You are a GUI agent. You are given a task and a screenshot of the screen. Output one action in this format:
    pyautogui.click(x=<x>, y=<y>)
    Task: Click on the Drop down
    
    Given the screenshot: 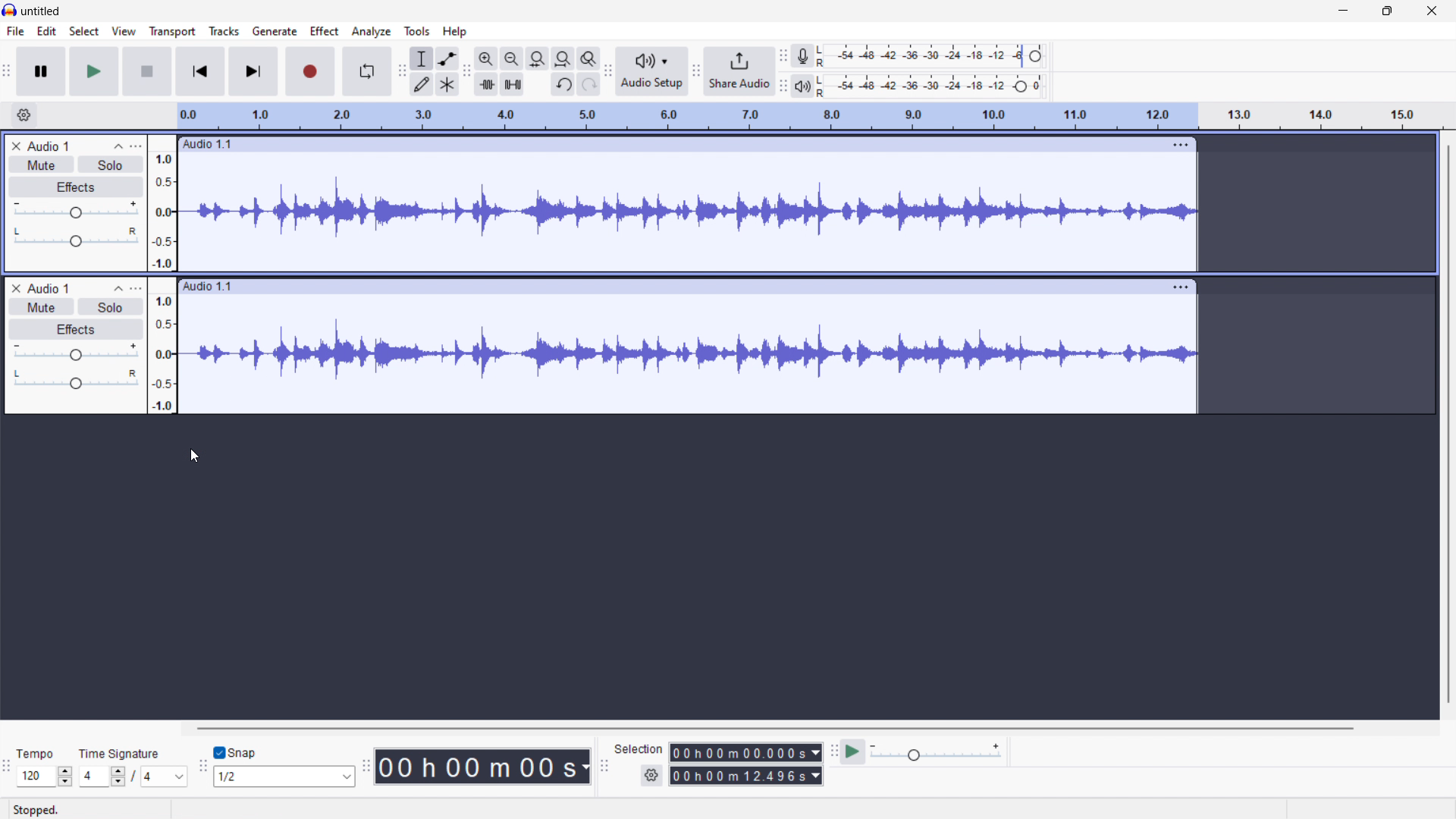 What is the action you would take?
    pyautogui.click(x=179, y=777)
    